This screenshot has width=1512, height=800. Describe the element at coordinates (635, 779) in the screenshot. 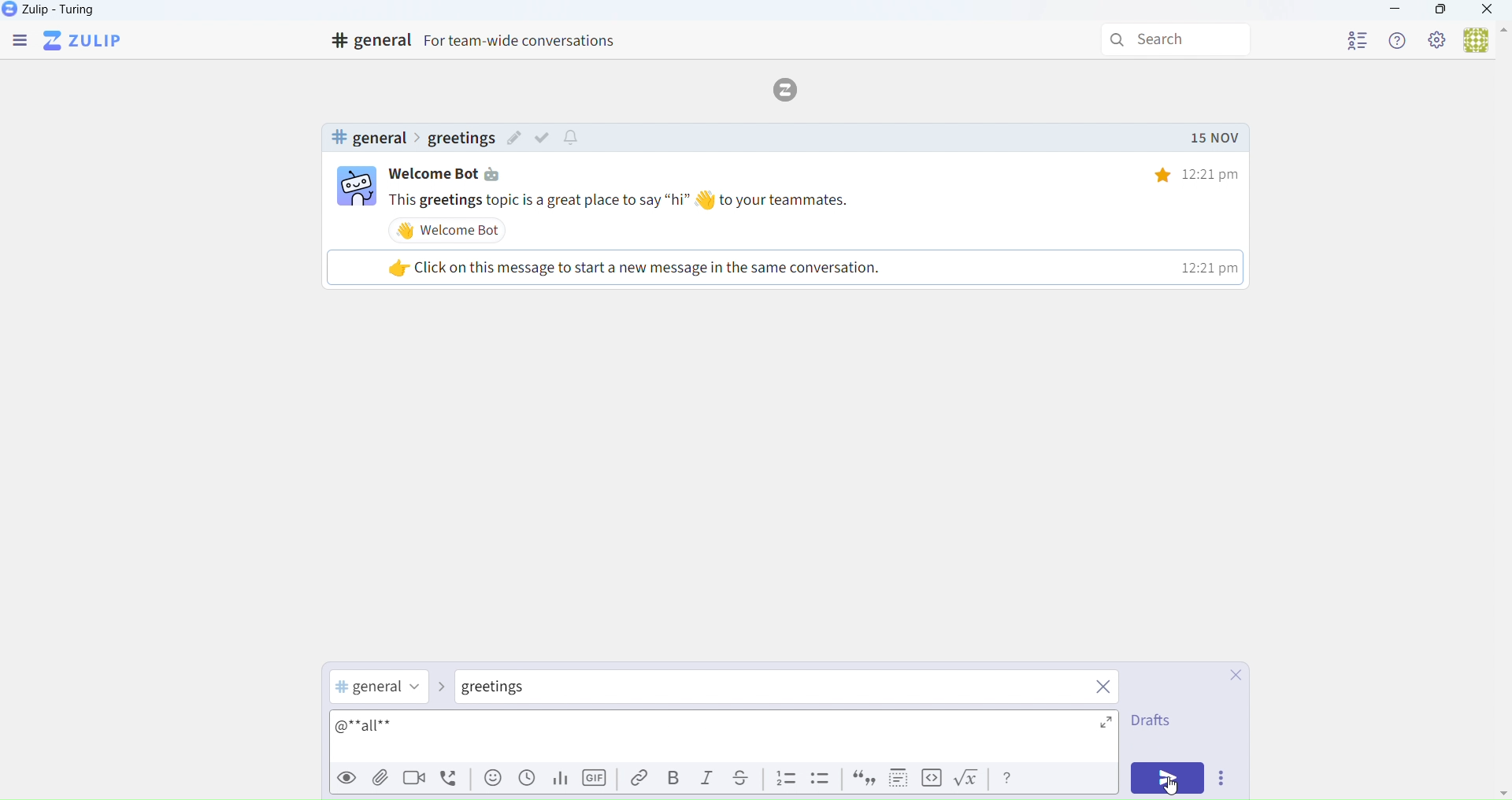

I see `Links` at that location.